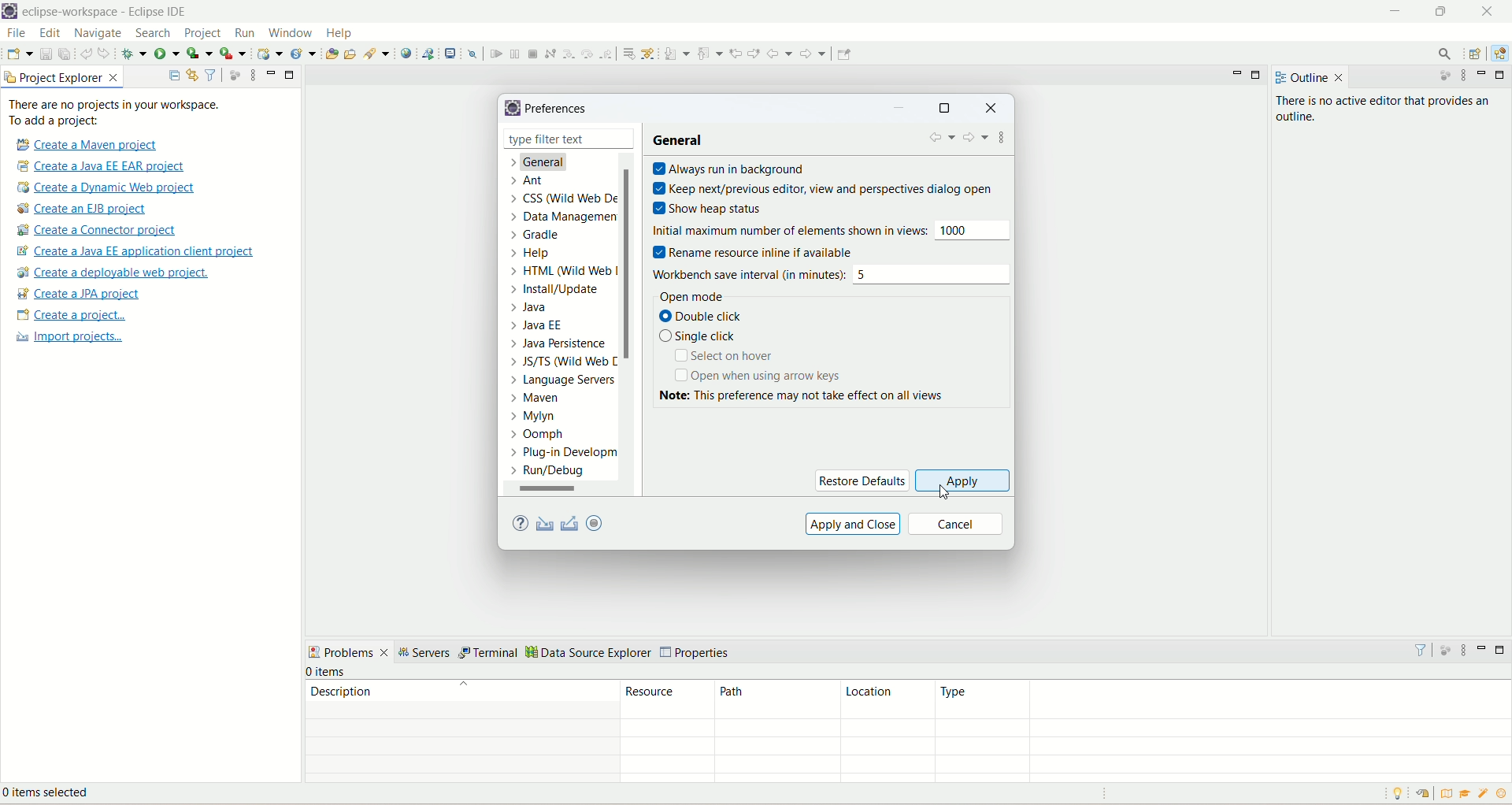 This screenshot has height=805, width=1512. Describe the element at coordinates (155, 34) in the screenshot. I see `search` at that location.